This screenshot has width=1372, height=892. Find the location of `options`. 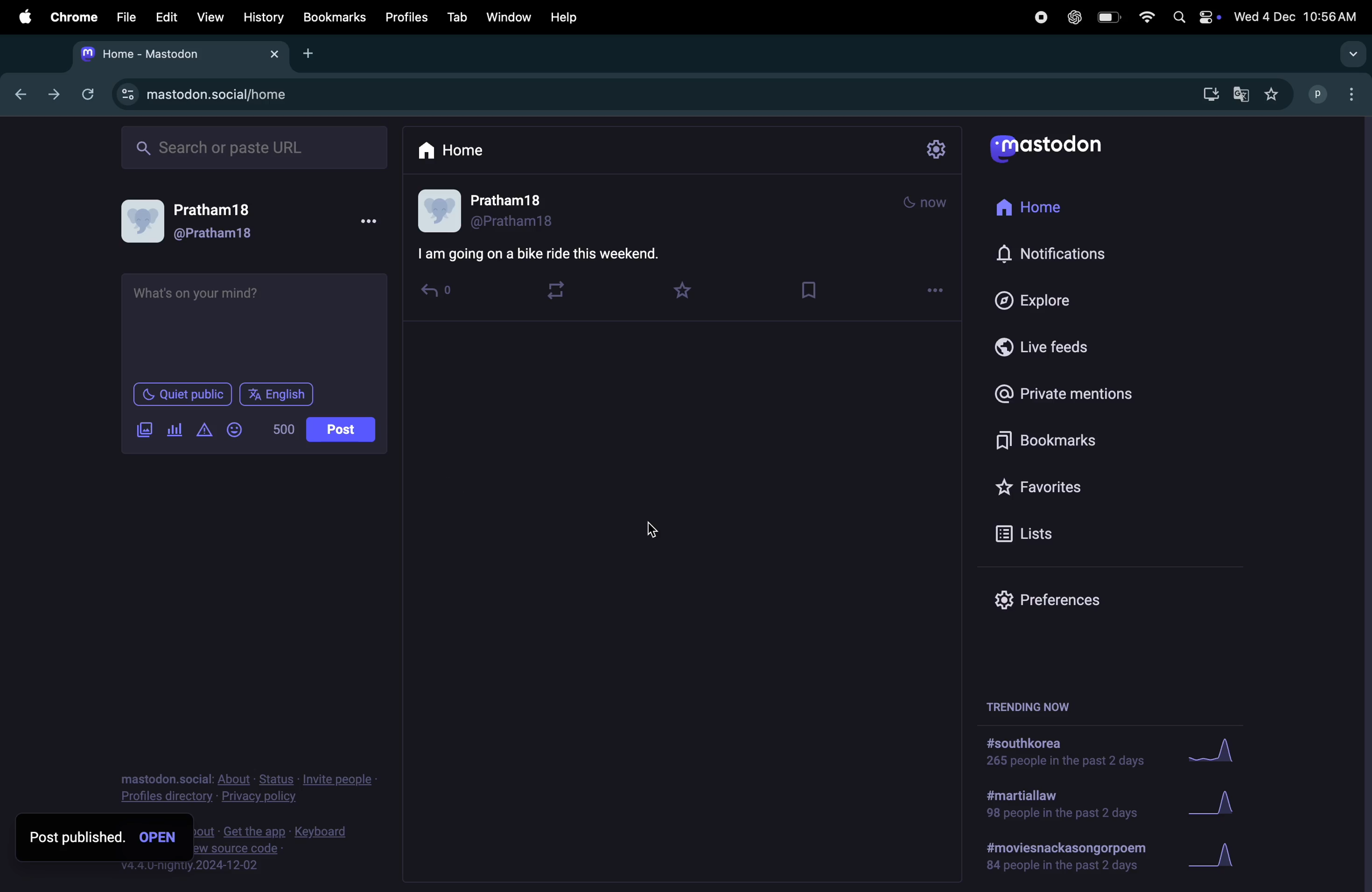

options is located at coordinates (370, 220).